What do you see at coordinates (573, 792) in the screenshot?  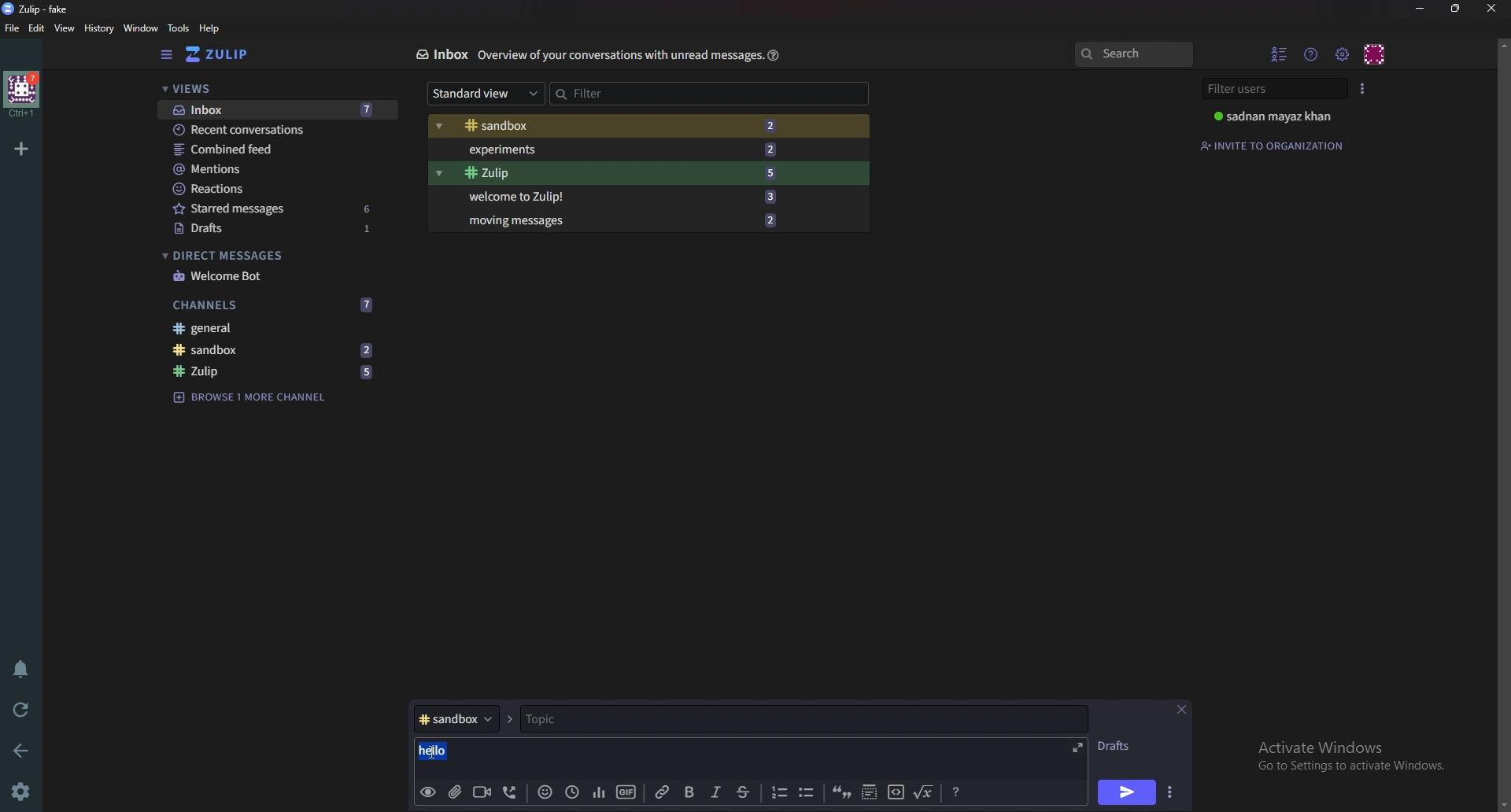 I see `Global time` at bounding box center [573, 792].